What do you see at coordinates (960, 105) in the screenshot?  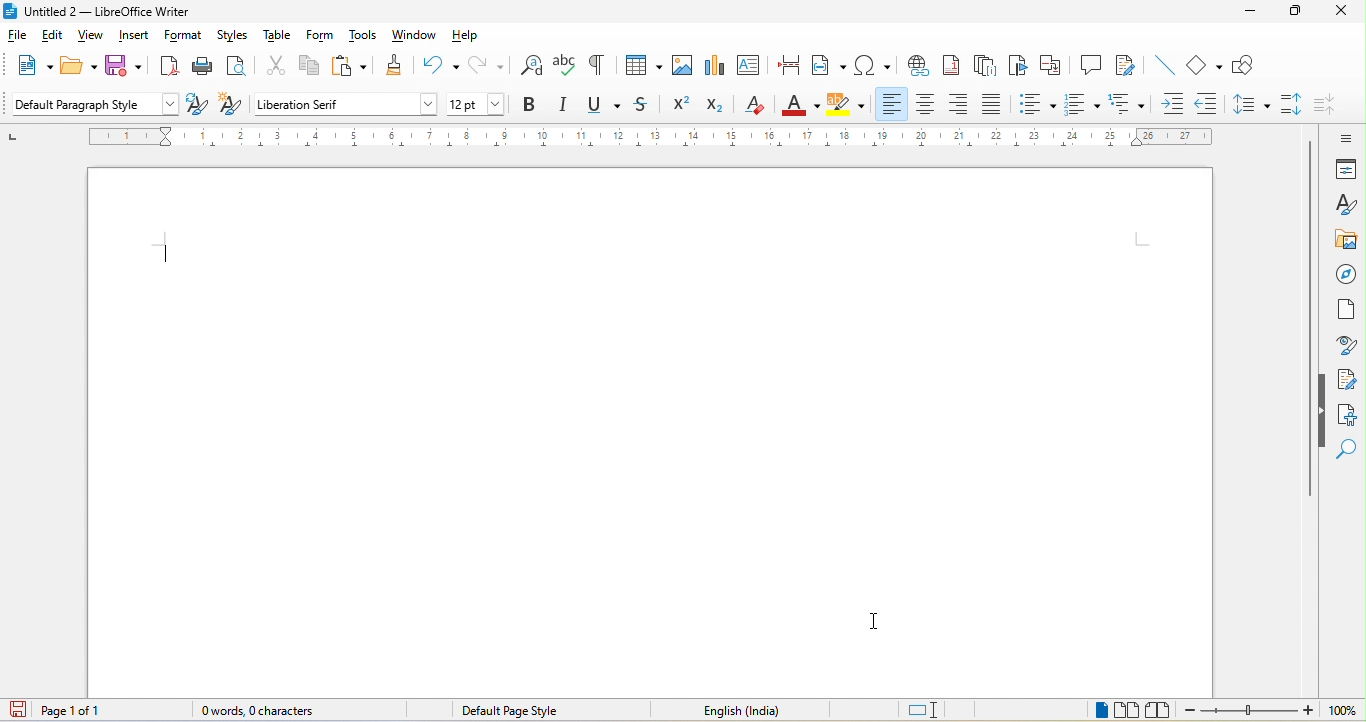 I see `align right` at bounding box center [960, 105].